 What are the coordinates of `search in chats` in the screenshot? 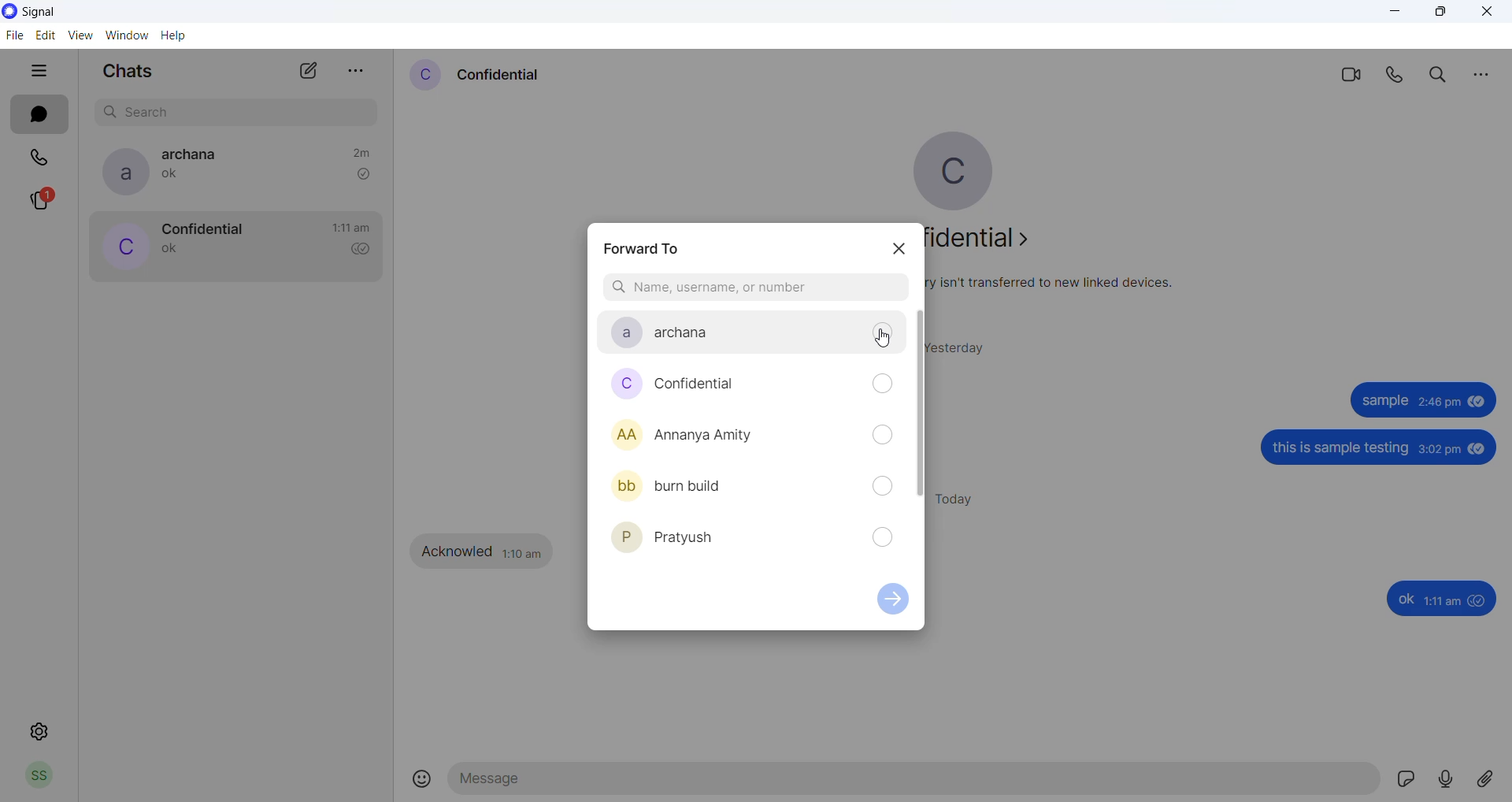 It's located at (1442, 75).